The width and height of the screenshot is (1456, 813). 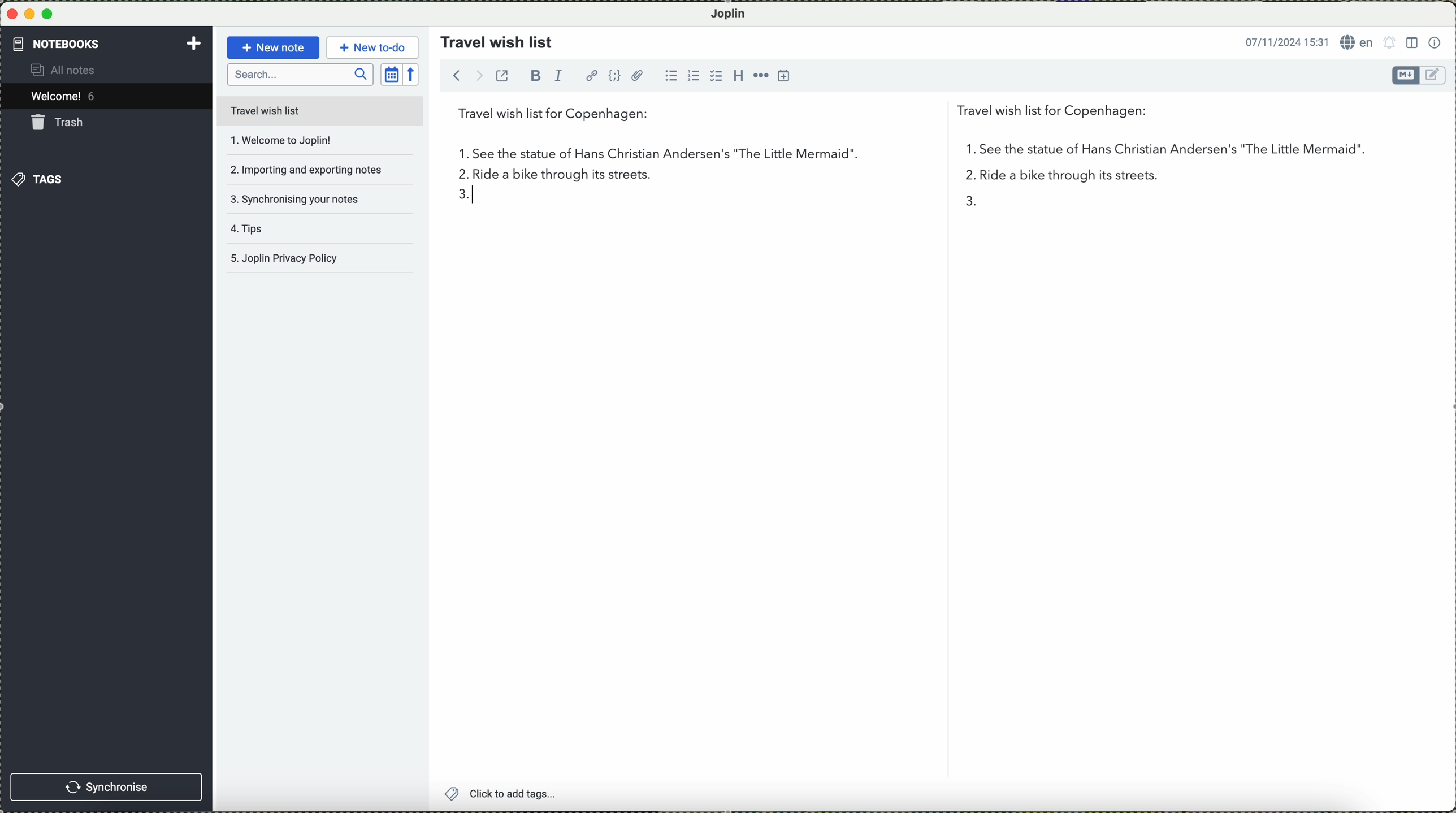 What do you see at coordinates (785, 77) in the screenshot?
I see `insert time` at bounding box center [785, 77].